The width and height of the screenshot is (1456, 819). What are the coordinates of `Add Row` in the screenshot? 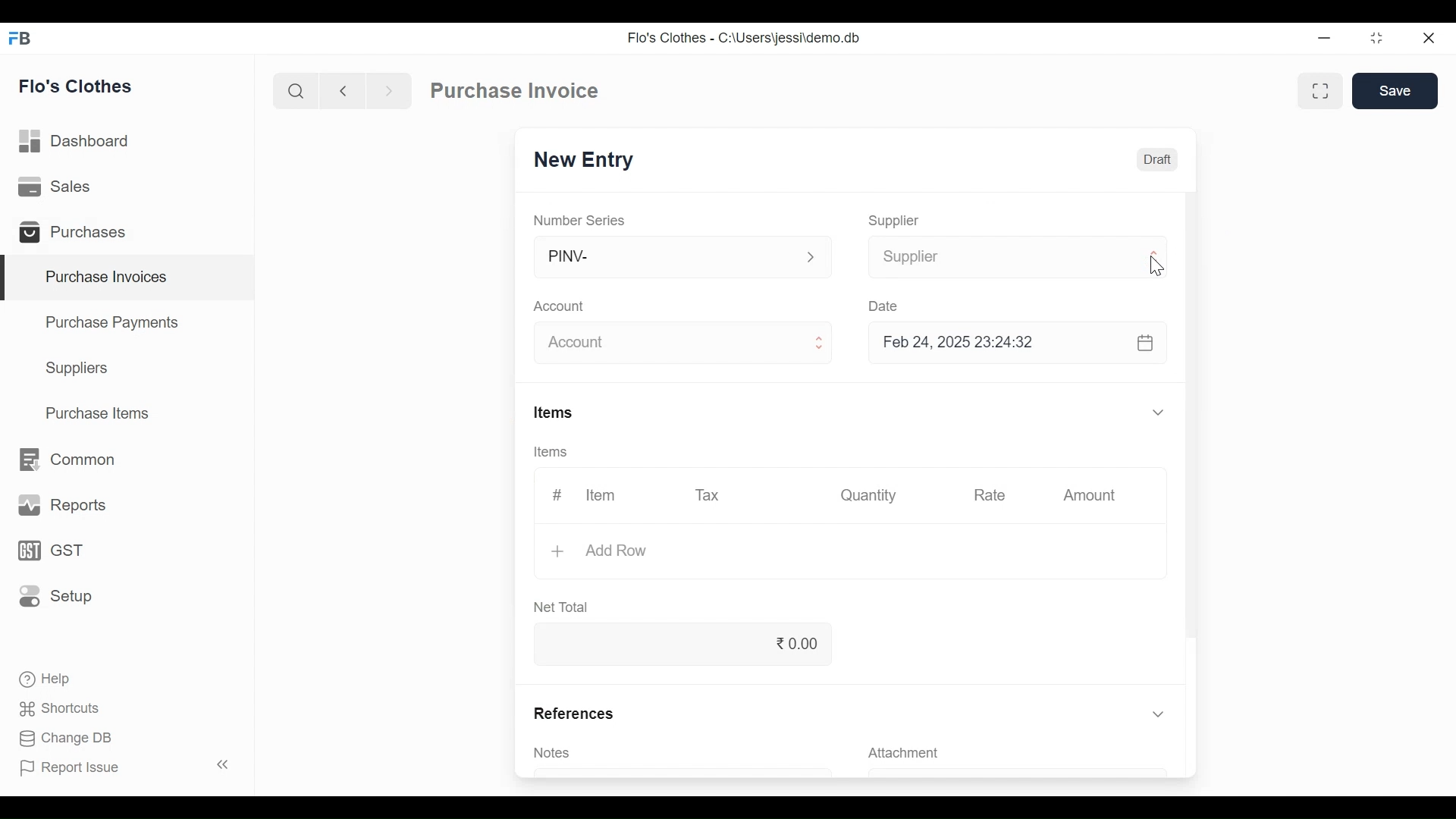 It's located at (617, 552).